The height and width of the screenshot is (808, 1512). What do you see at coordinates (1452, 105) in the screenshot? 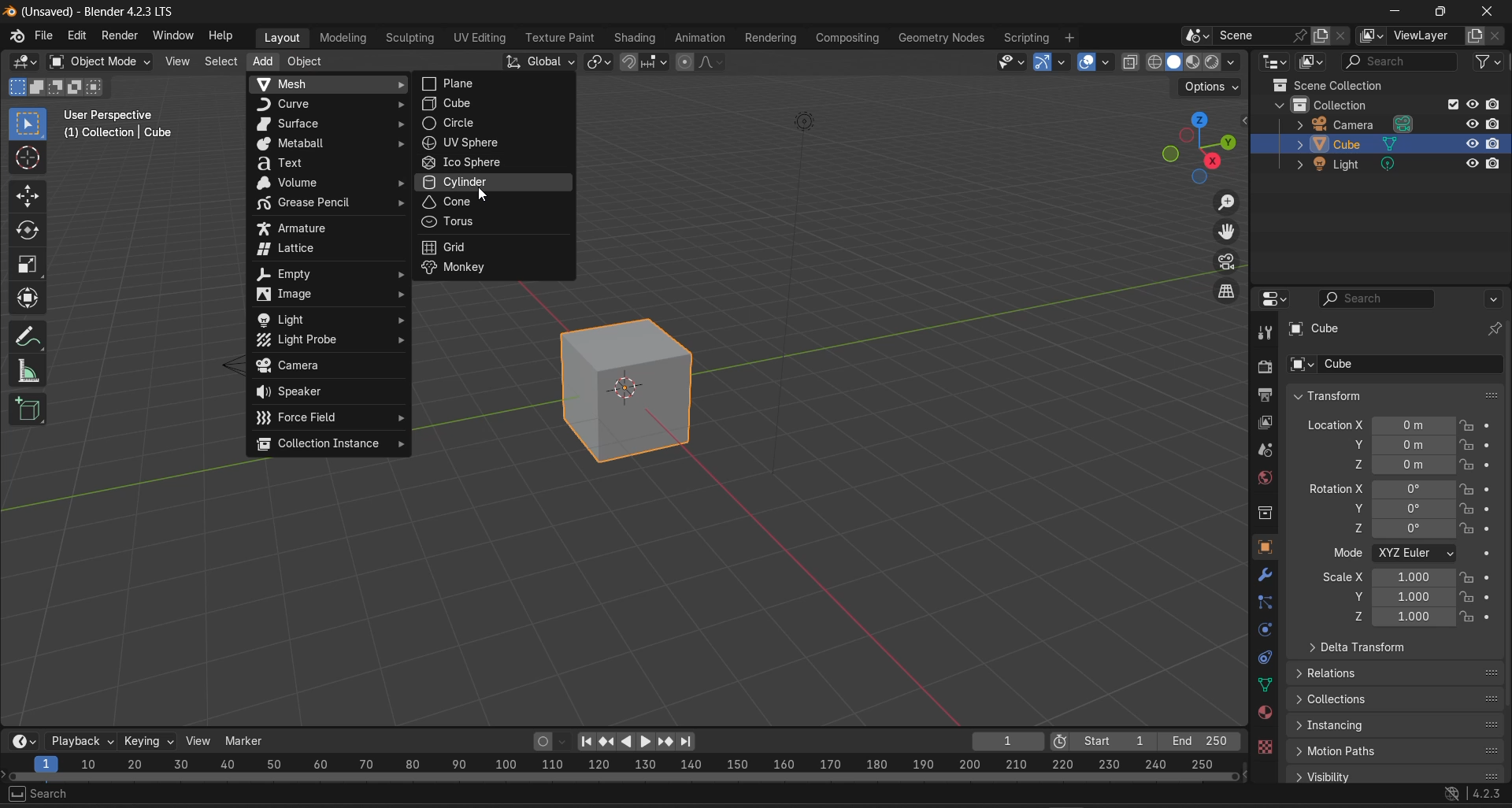
I see `exclude from view layer` at bounding box center [1452, 105].